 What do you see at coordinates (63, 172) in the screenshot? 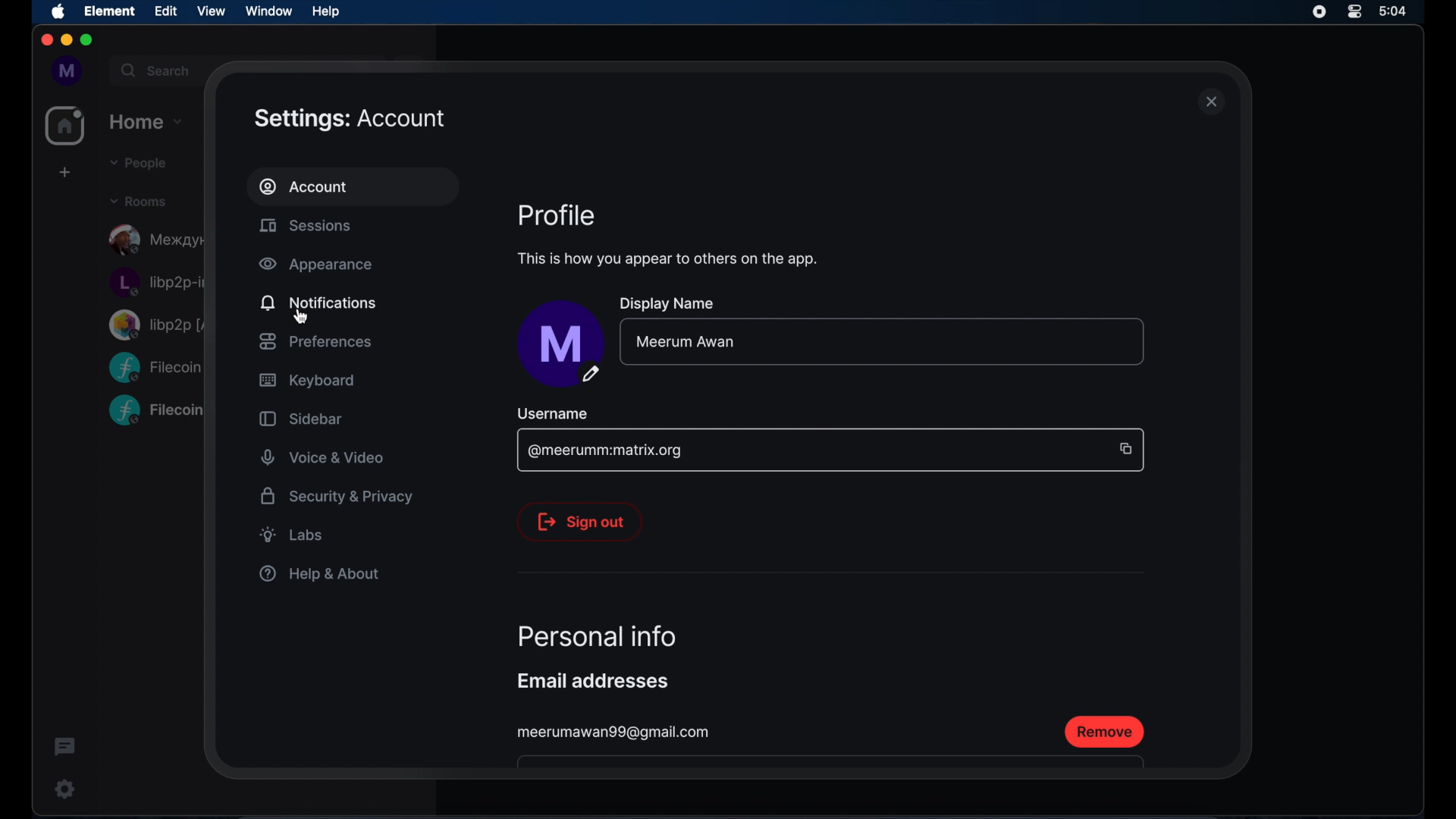
I see `add` at bounding box center [63, 172].